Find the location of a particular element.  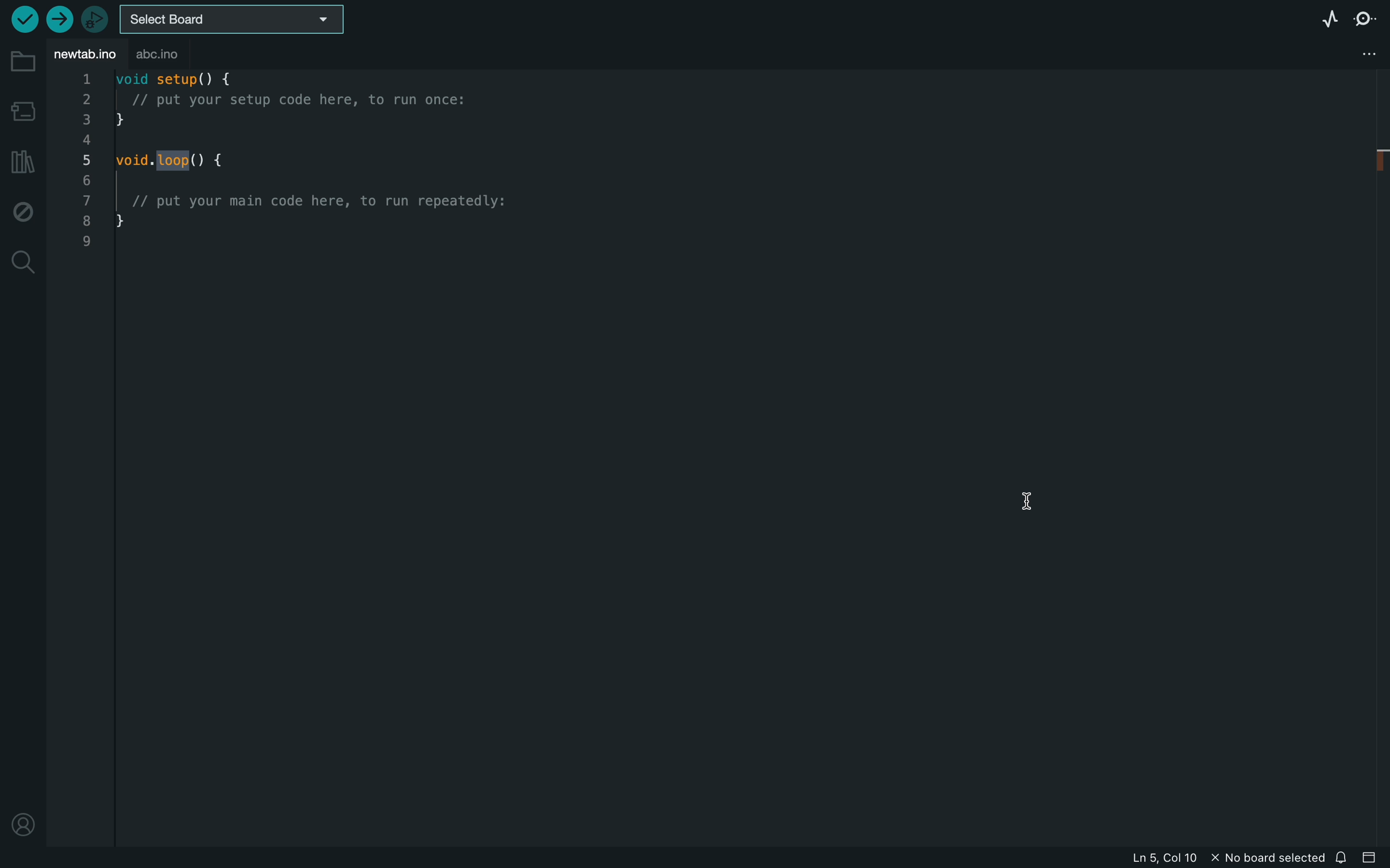

serial monitor is located at coordinates (1366, 18).